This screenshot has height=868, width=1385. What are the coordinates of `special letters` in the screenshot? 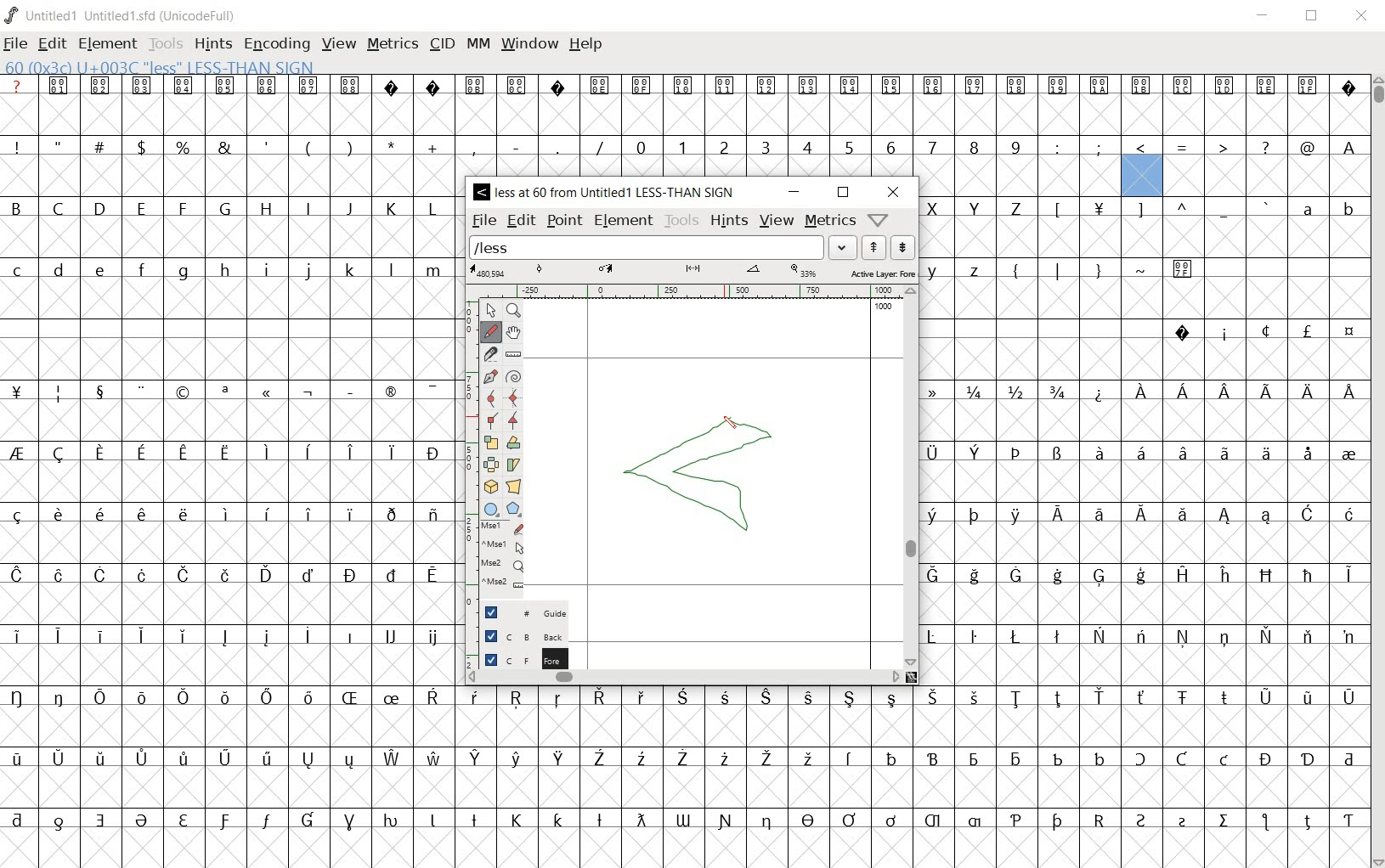 It's located at (1144, 513).